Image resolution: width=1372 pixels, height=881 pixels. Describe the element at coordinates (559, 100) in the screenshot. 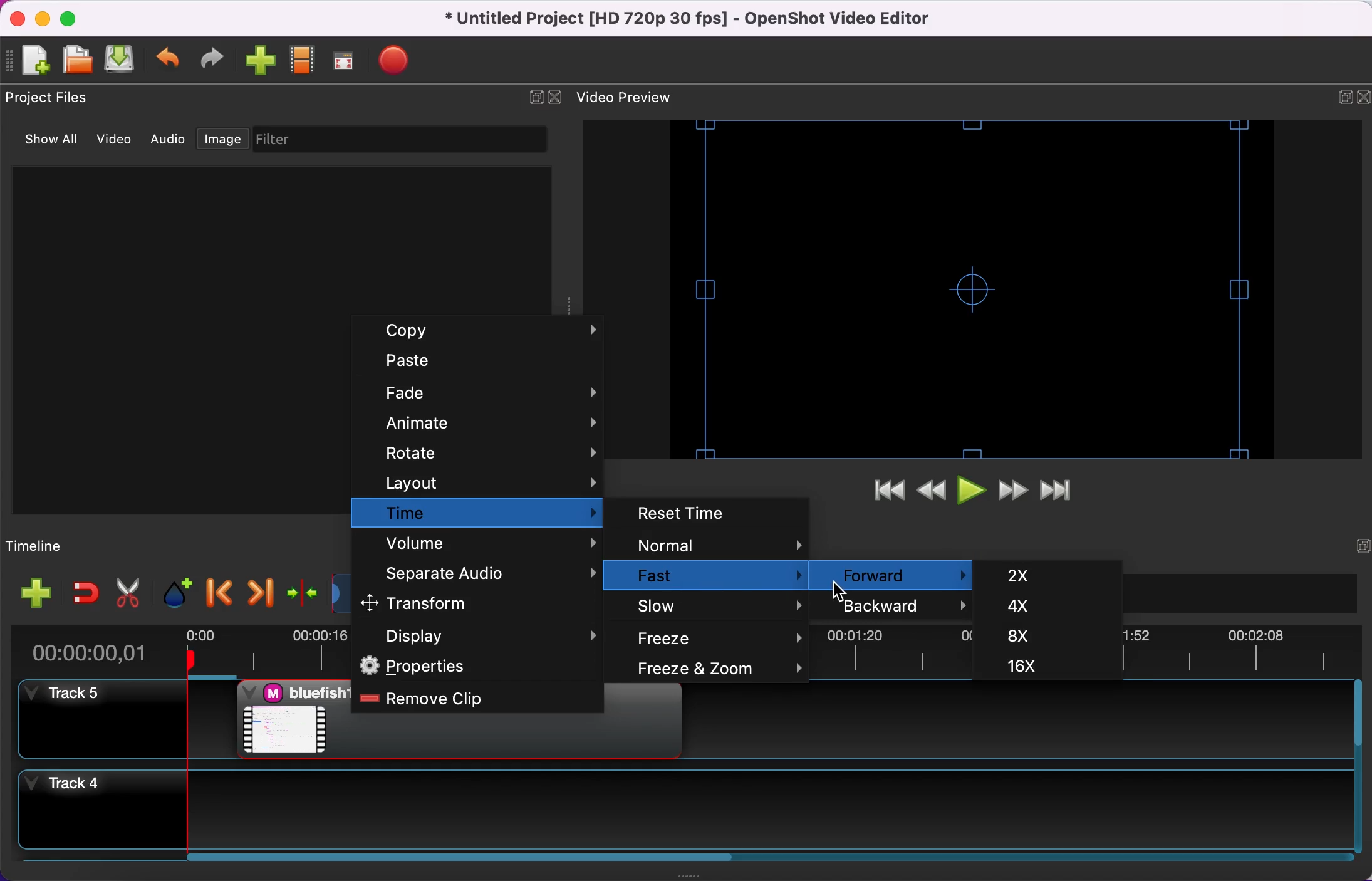

I see `close` at that location.